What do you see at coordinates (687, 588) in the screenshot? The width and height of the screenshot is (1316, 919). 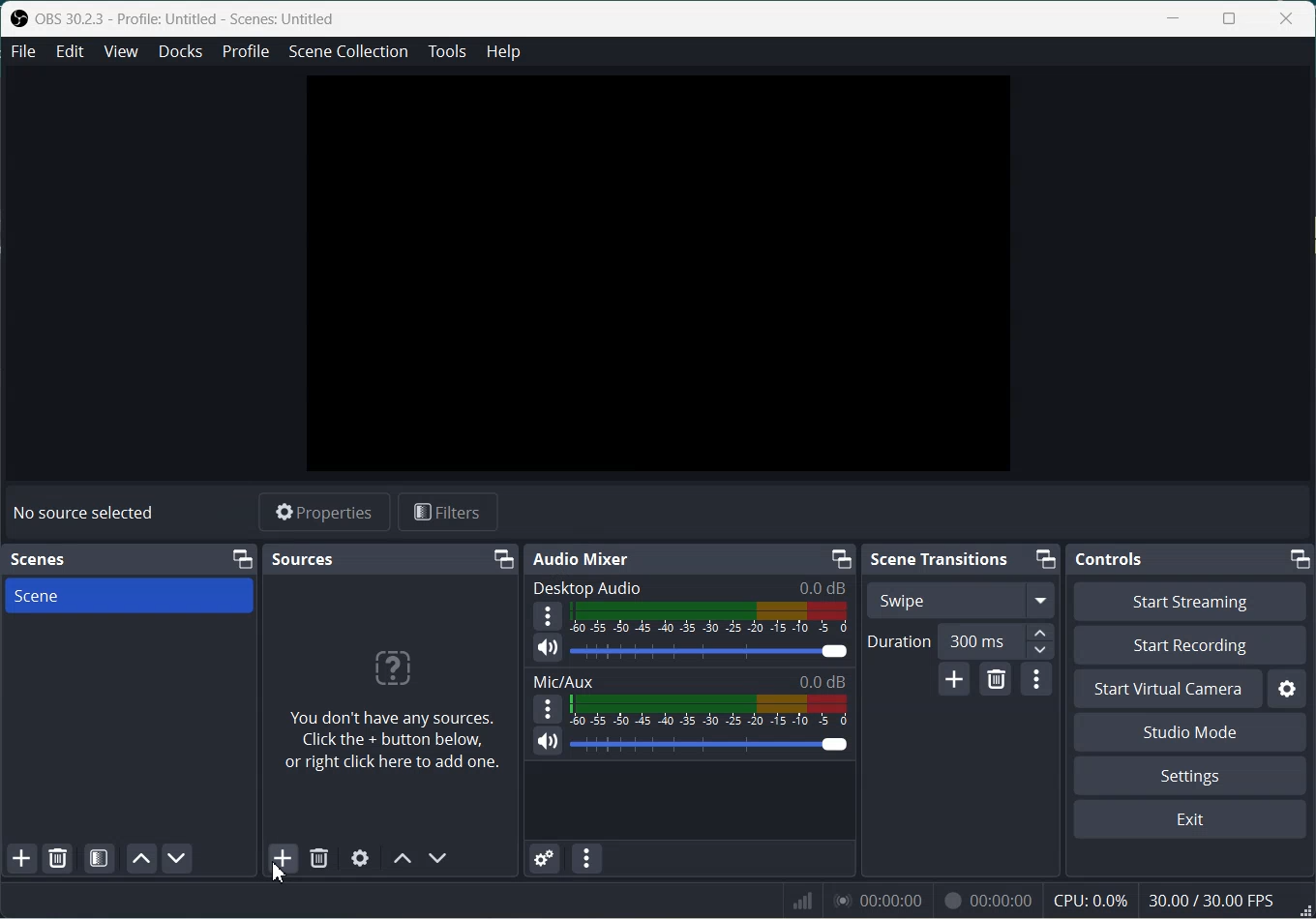 I see `Desktop Audio 0.0 dB` at bounding box center [687, 588].